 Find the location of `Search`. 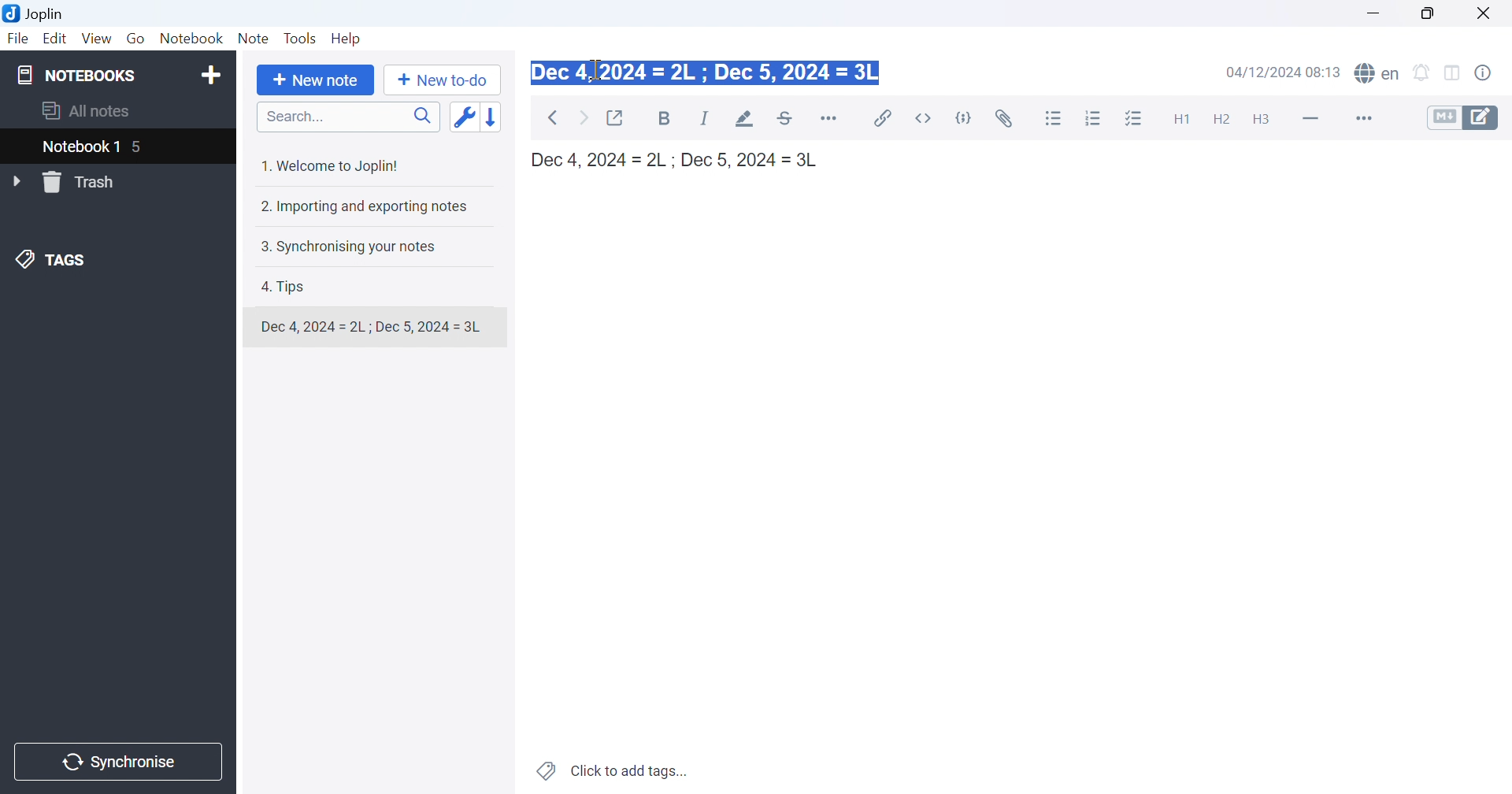

Search is located at coordinates (348, 117).